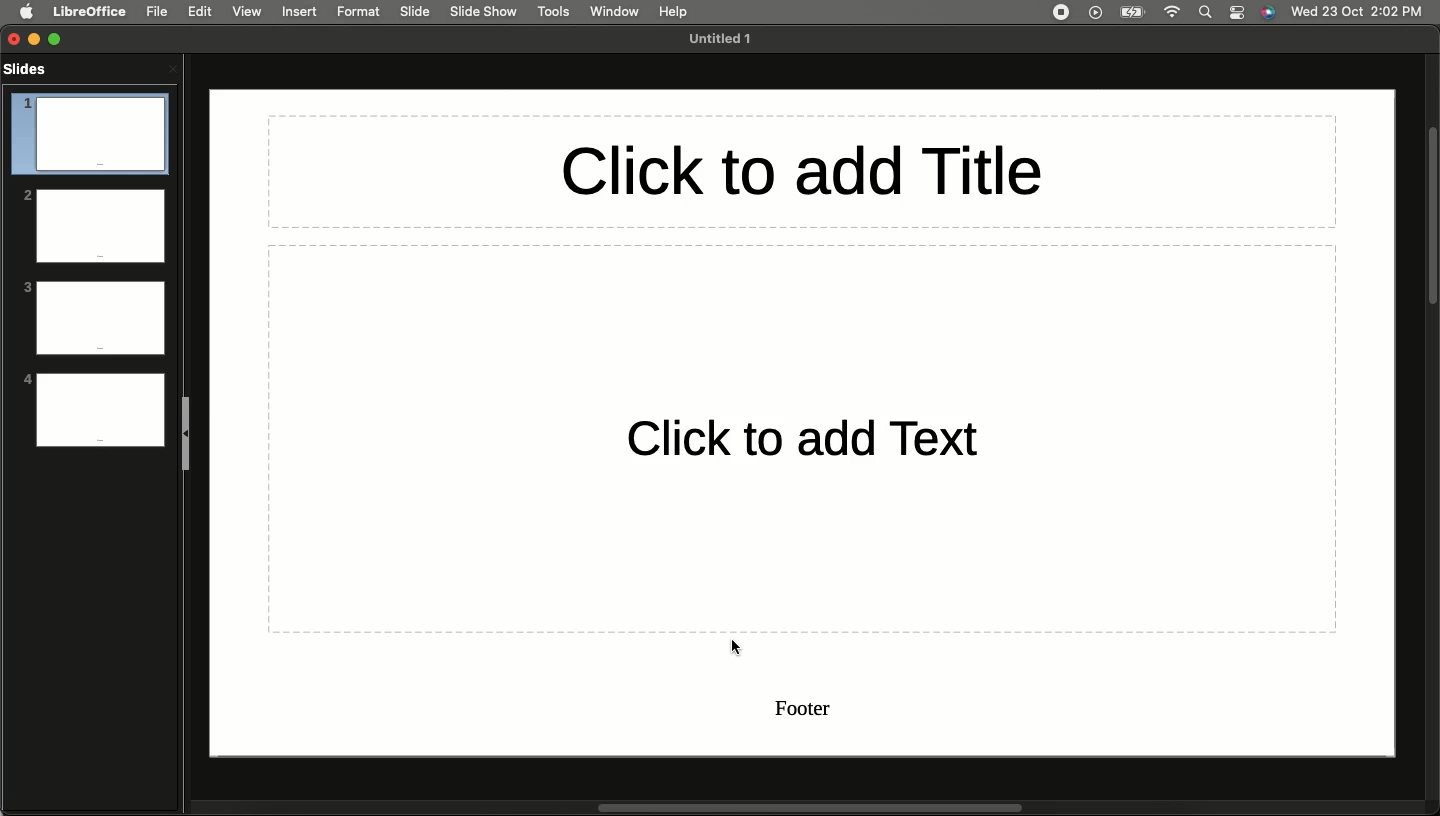  I want to click on Slide show, so click(486, 12).